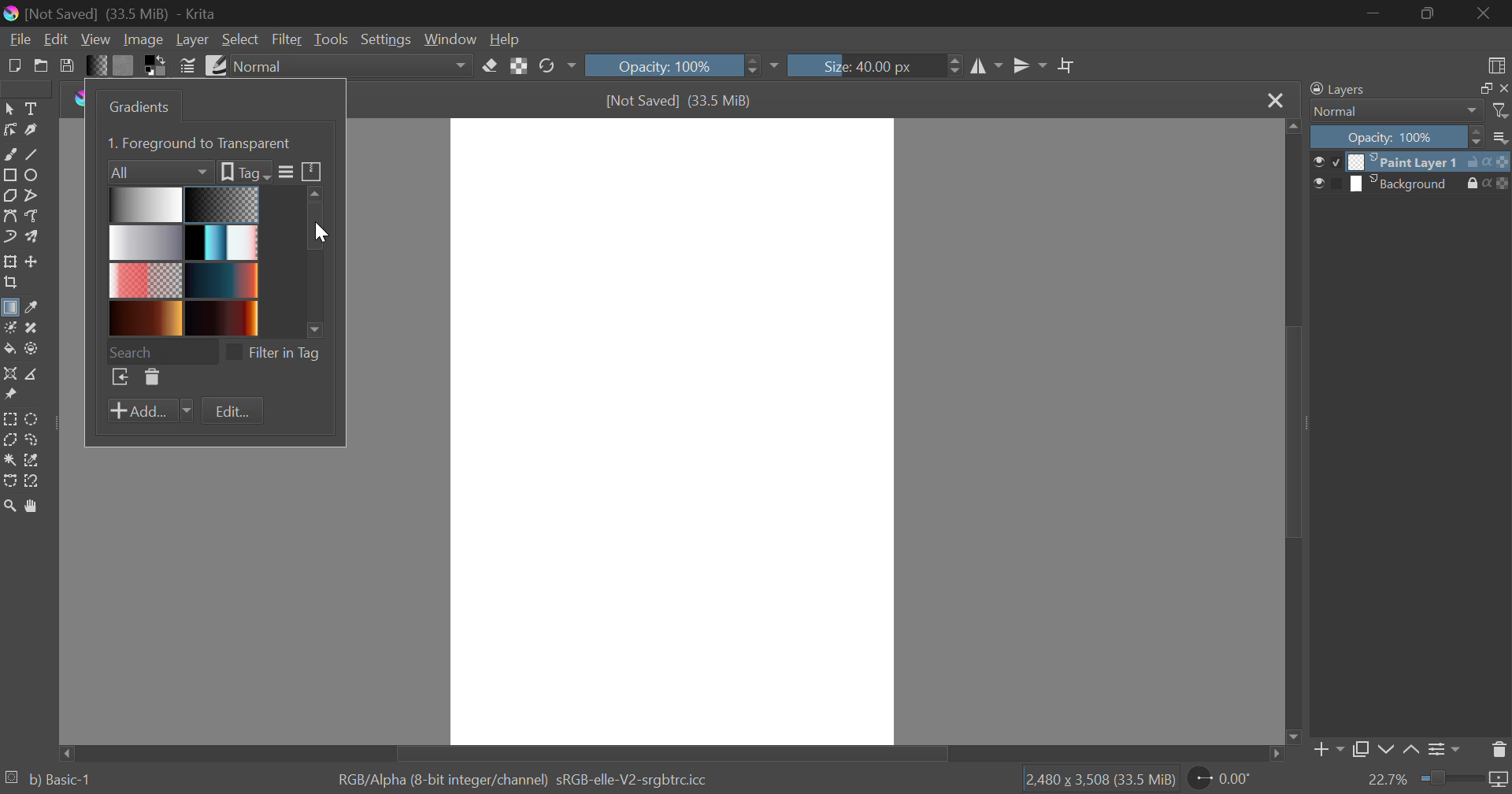 This screenshot has width=1512, height=794. Describe the element at coordinates (384, 39) in the screenshot. I see `Settings` at that location.